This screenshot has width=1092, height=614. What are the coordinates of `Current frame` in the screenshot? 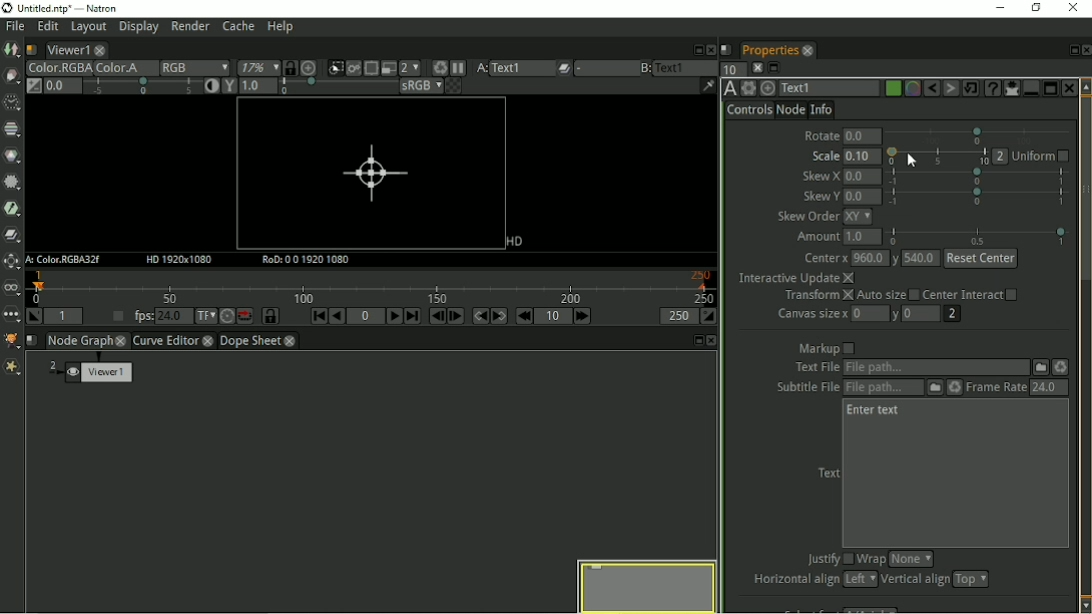 It's located at (366, 316).